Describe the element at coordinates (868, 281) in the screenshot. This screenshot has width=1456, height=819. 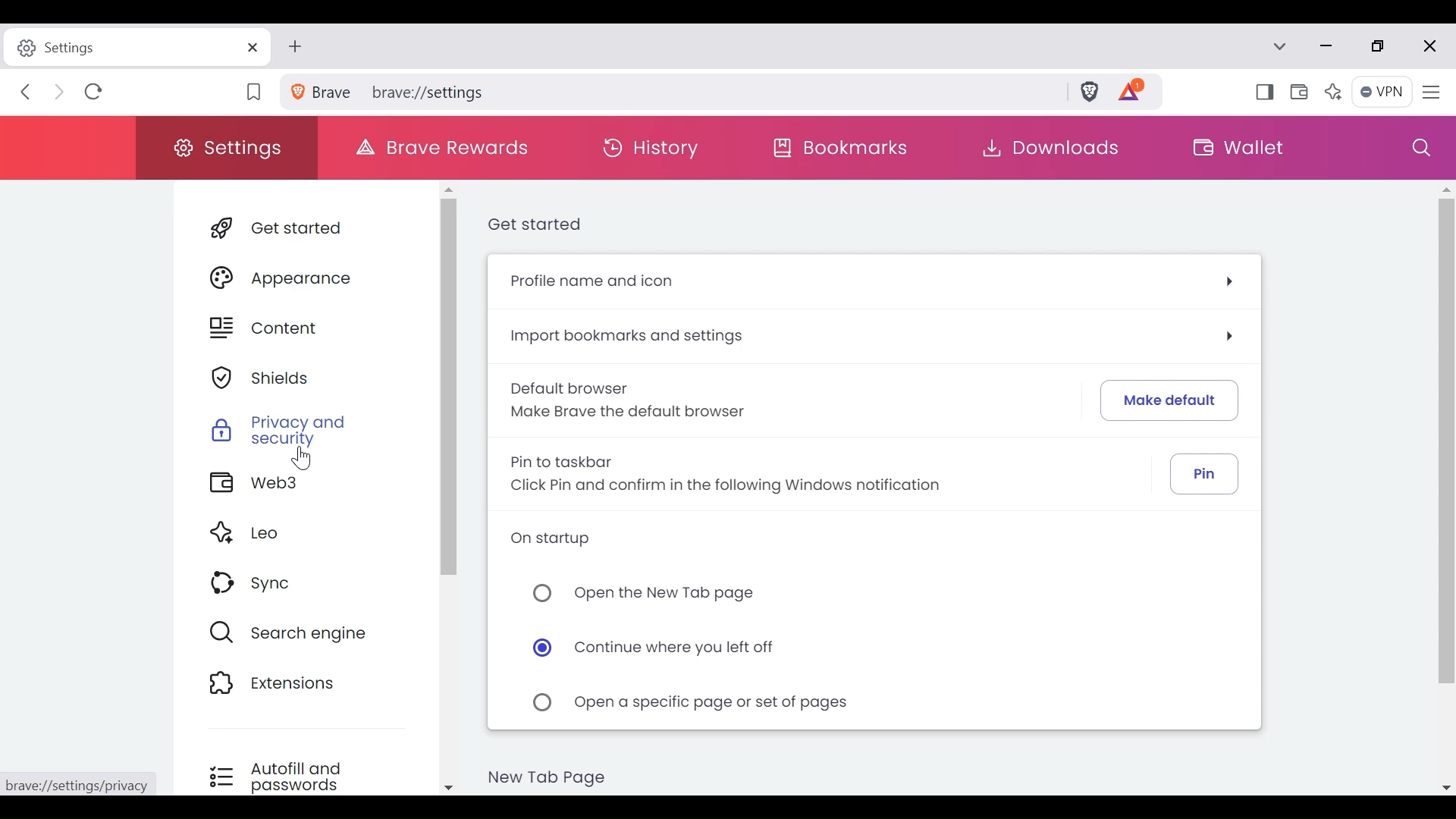
I see `Profile name and icon` at that location.